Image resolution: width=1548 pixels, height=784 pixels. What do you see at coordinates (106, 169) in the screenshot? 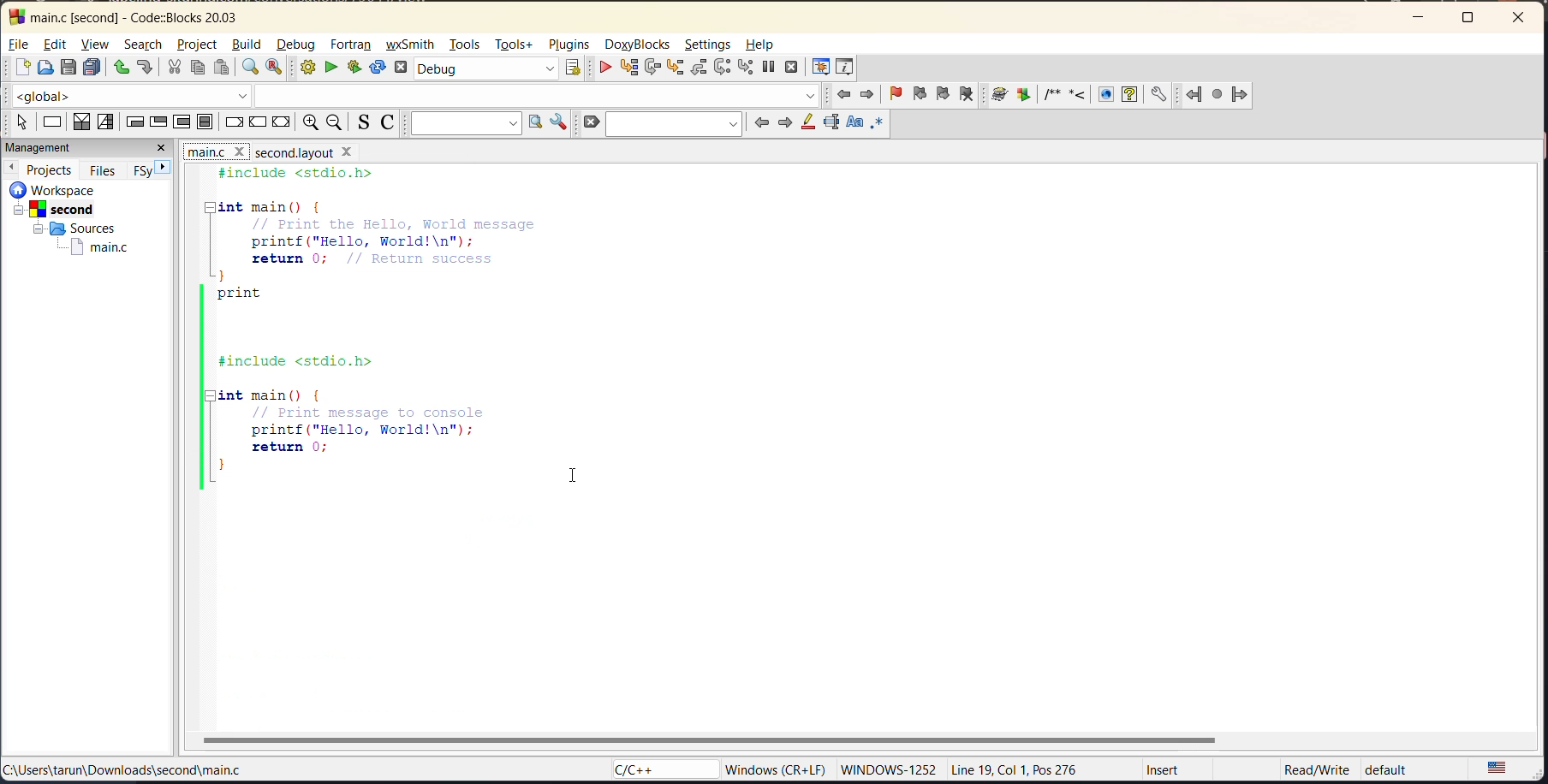
I see `files` at bounding box center [106, 169].